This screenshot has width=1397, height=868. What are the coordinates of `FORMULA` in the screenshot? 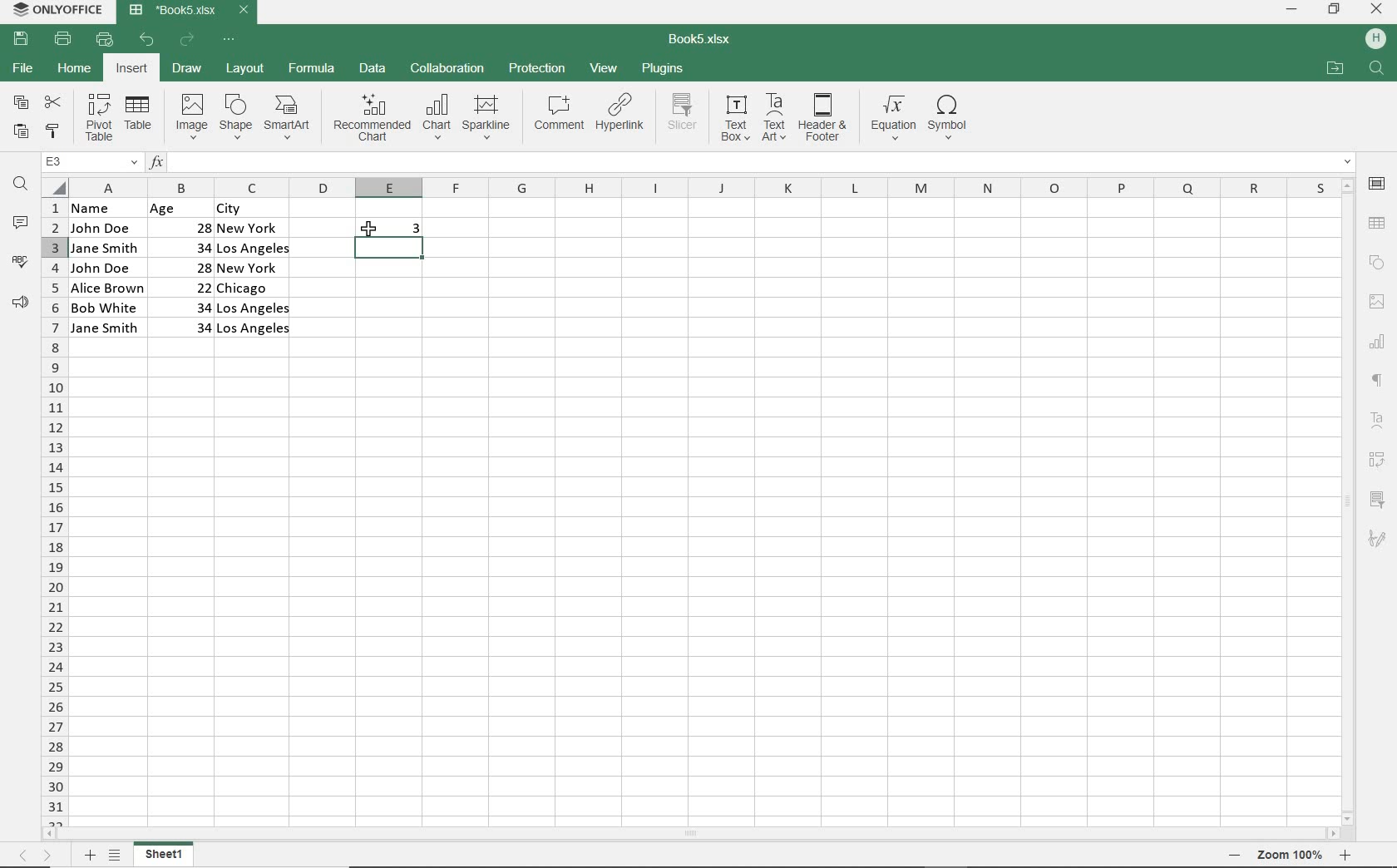 It's located at (310, 68).